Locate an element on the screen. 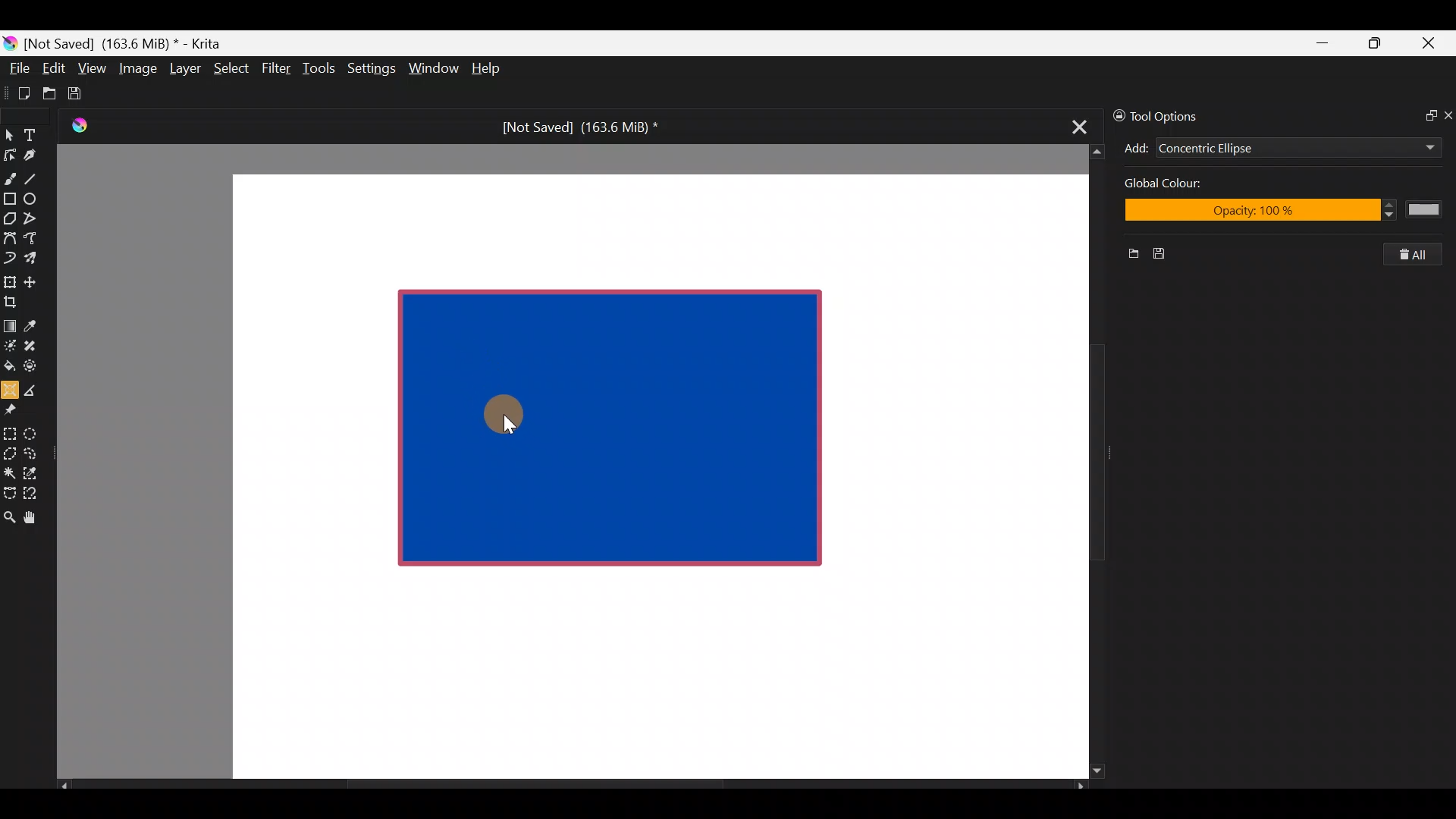  Image is located at coordinates (137, 68).